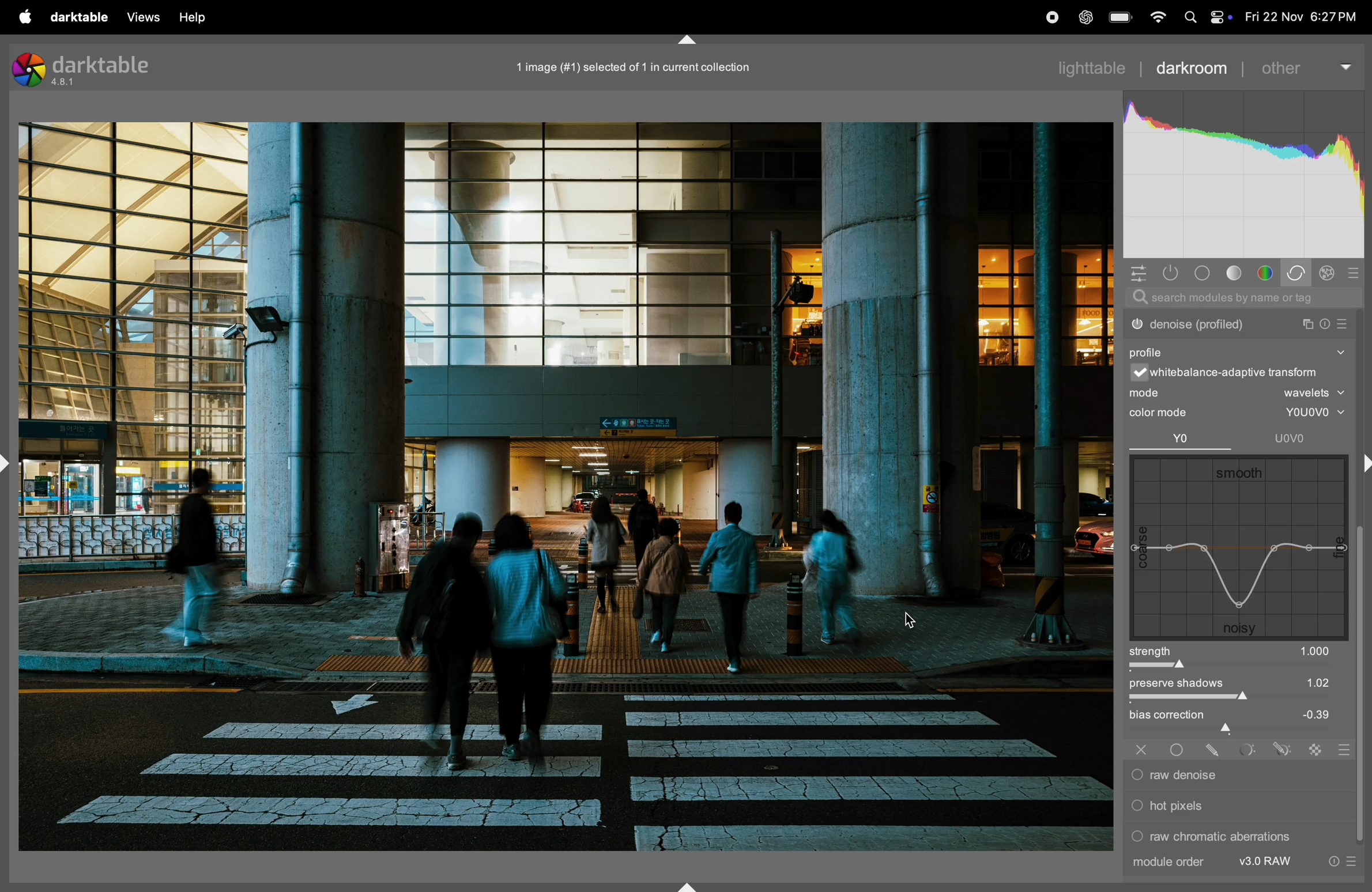 The height and width of the screenshot is (892, 1372). Describe the element at coordinates (1173, 274) in the screenshot. I see `show only active modes` at that location.